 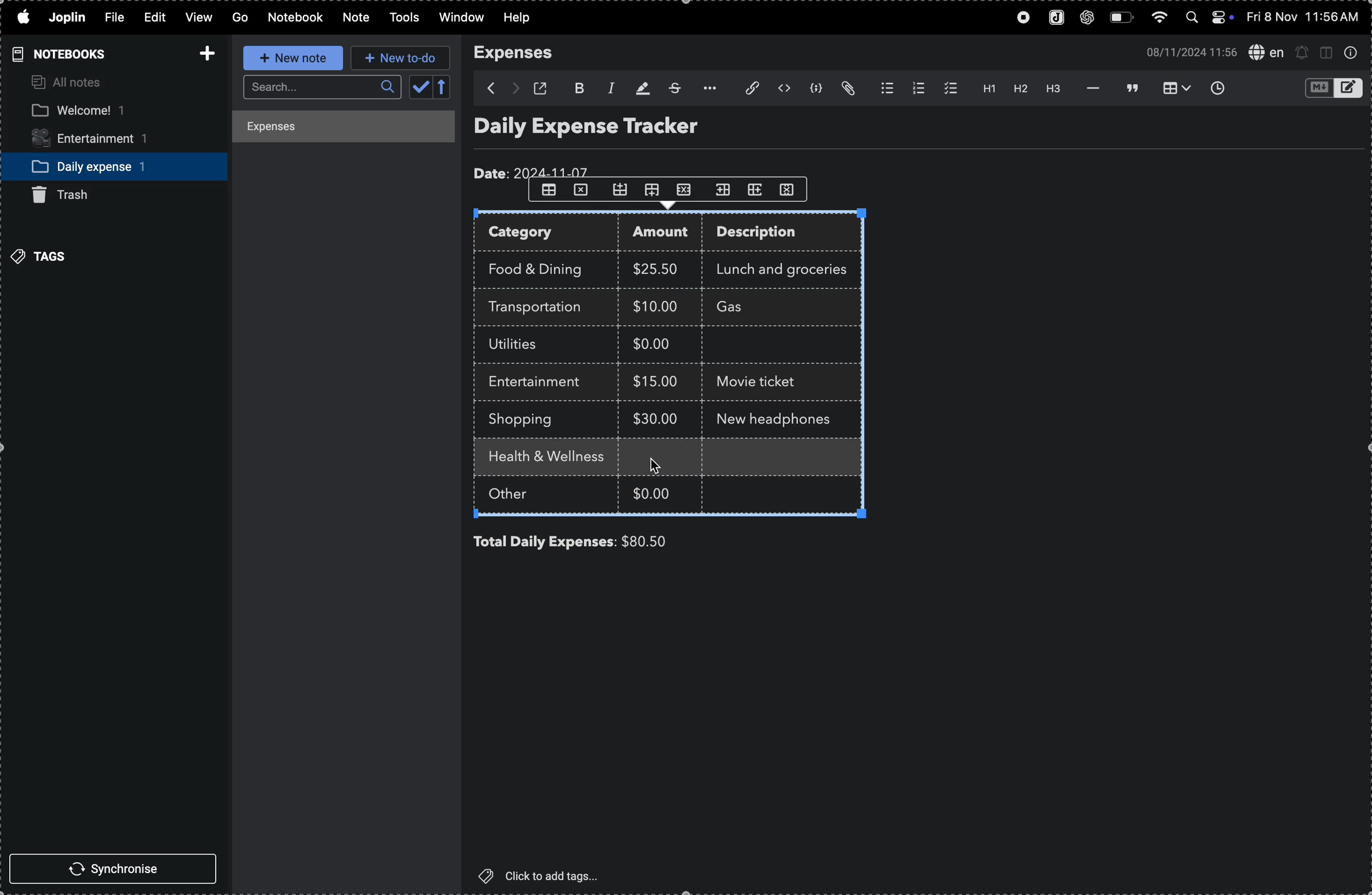 I want to click on shopping, so click(x=529, y=420).